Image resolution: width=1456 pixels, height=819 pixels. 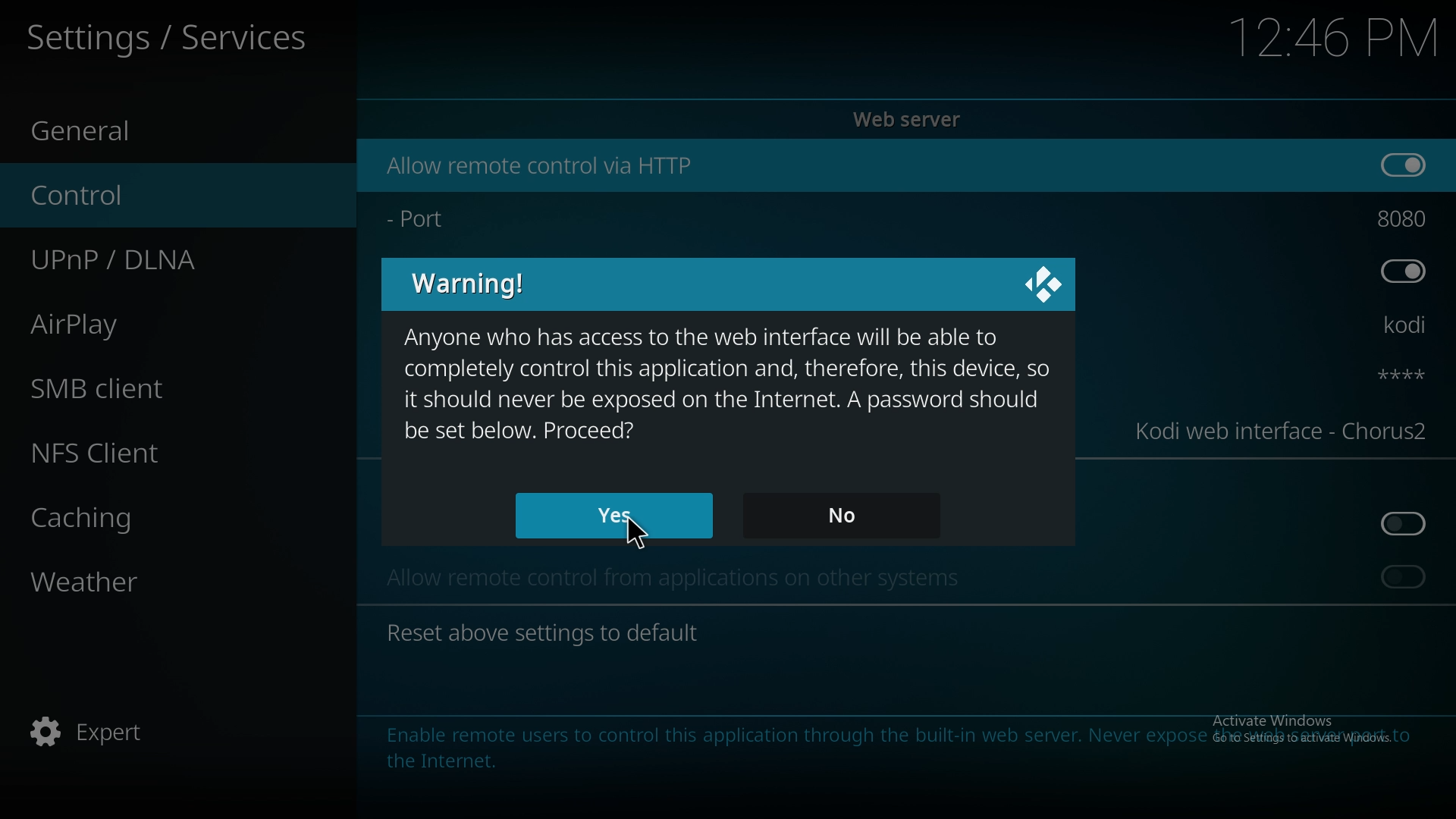 What do you see at coordinates (129, 127) in the screenshot?
I see `general` at bounding box center [129, 127].